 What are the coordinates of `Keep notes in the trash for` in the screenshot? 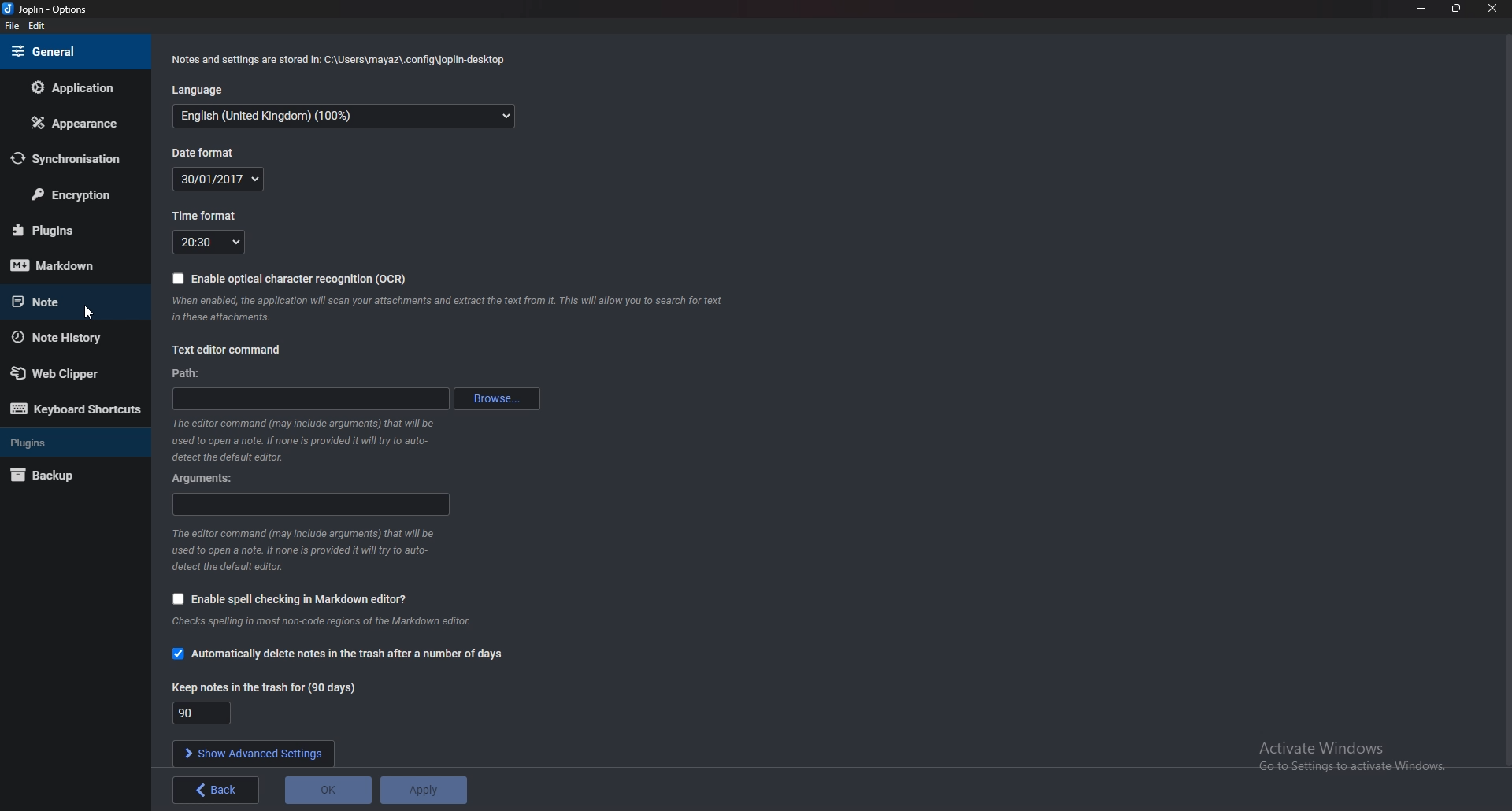 It's located at (269, 688).